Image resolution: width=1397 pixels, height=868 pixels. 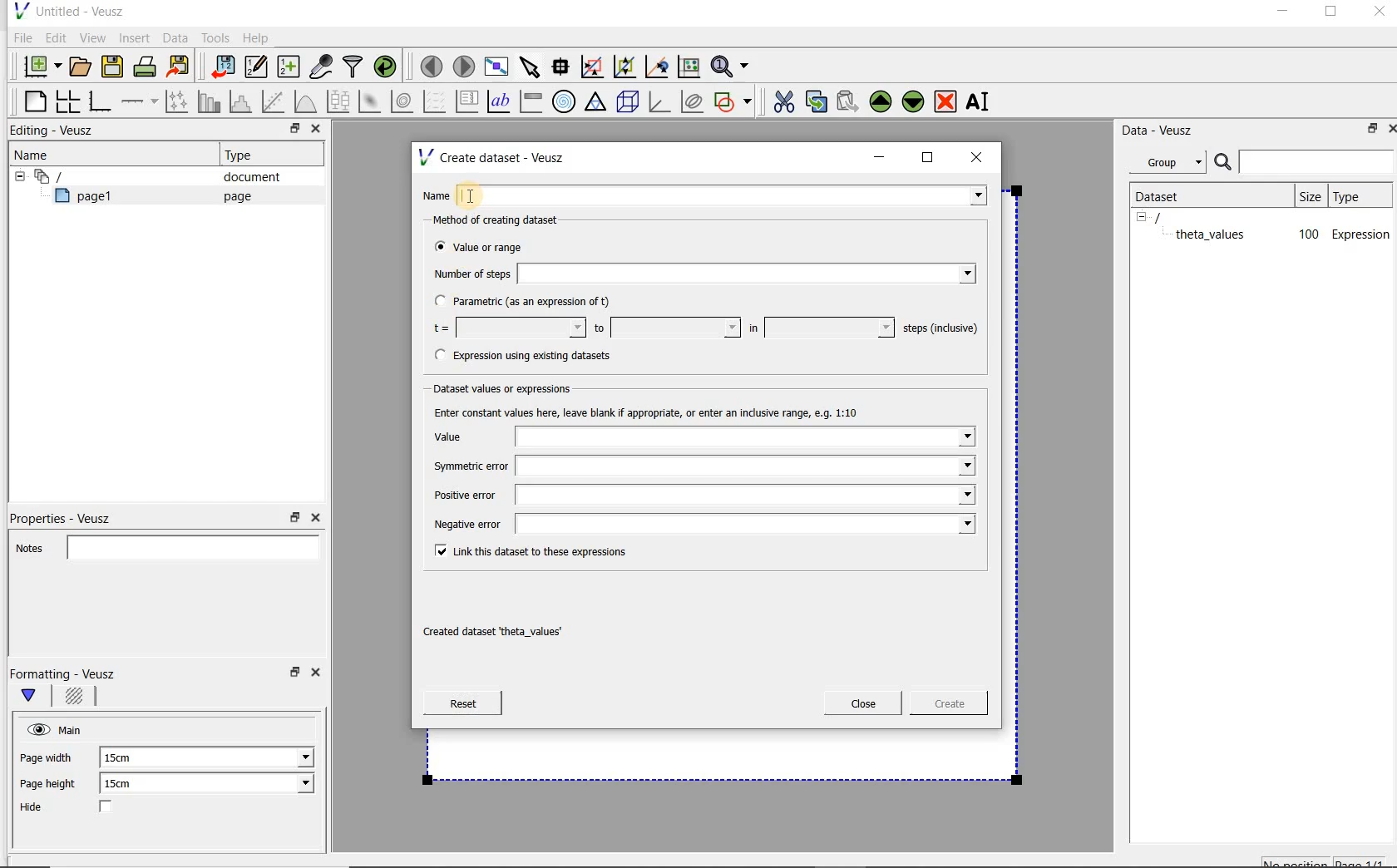 I want to click on plot a vector field, so click(x=435, y=100).